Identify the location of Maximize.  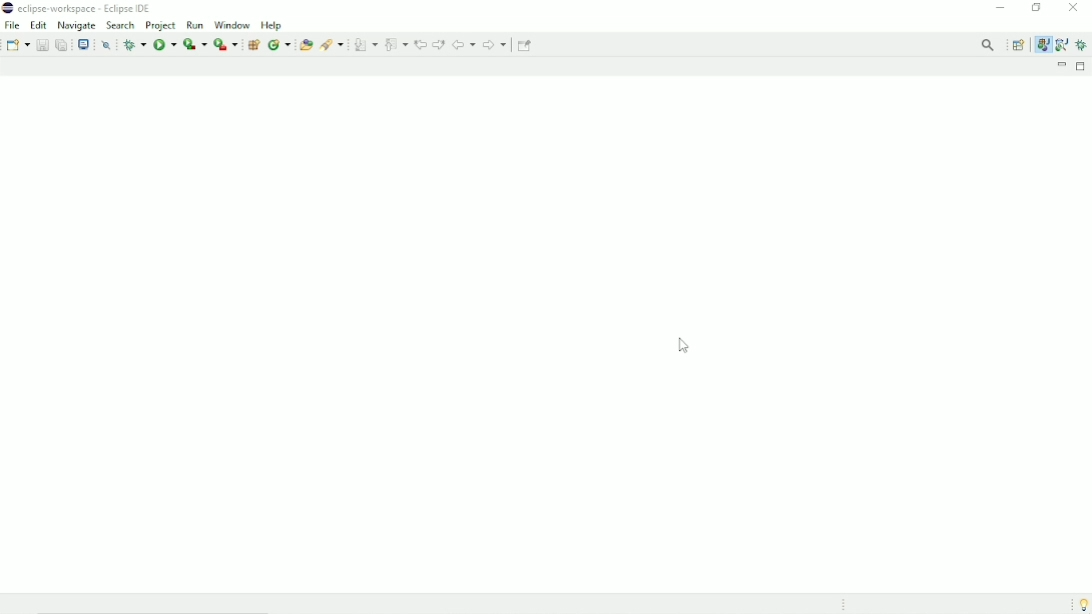
(1083, 67).